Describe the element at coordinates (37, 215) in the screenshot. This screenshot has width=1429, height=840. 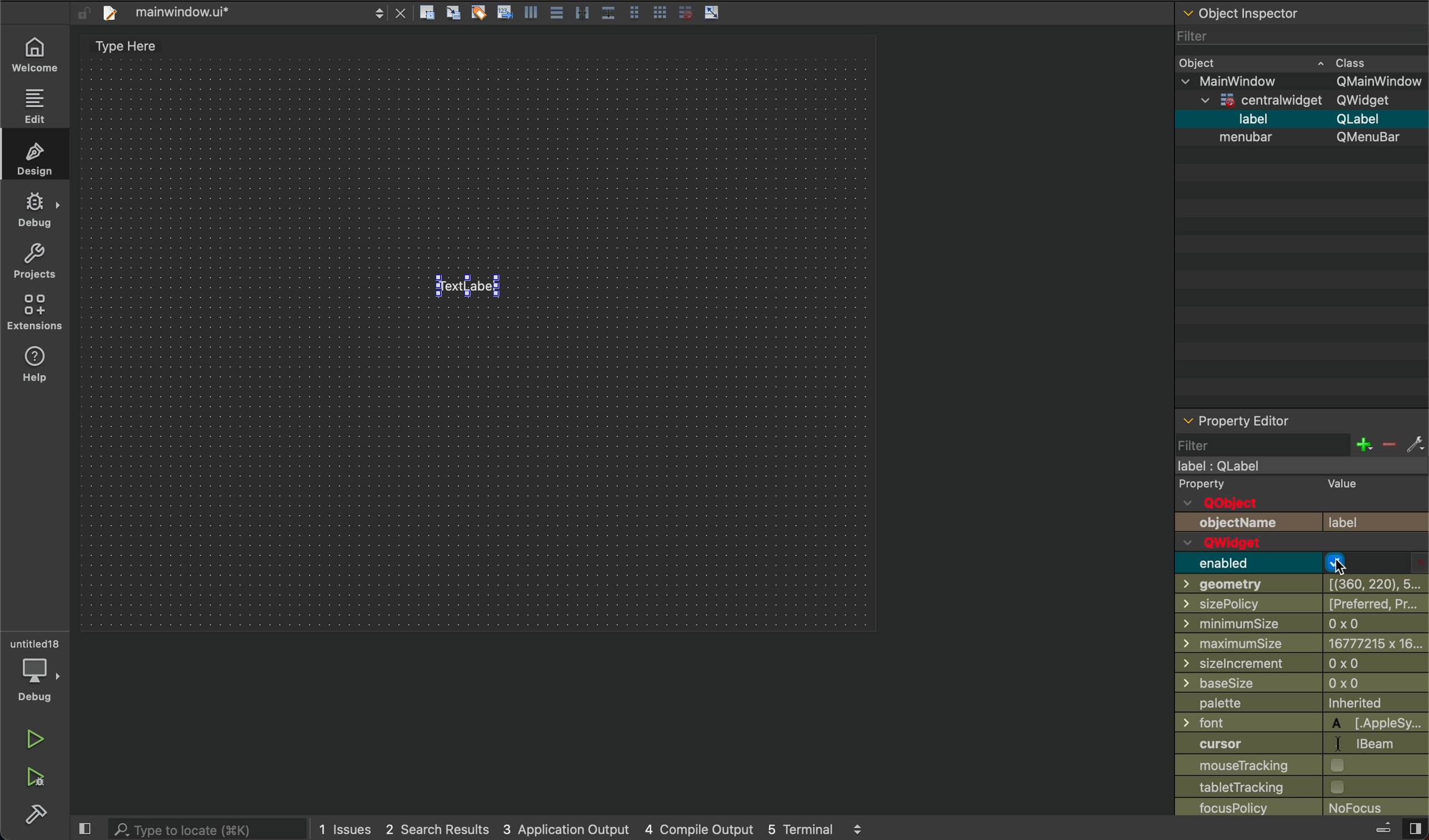
I see `debug` at that location.